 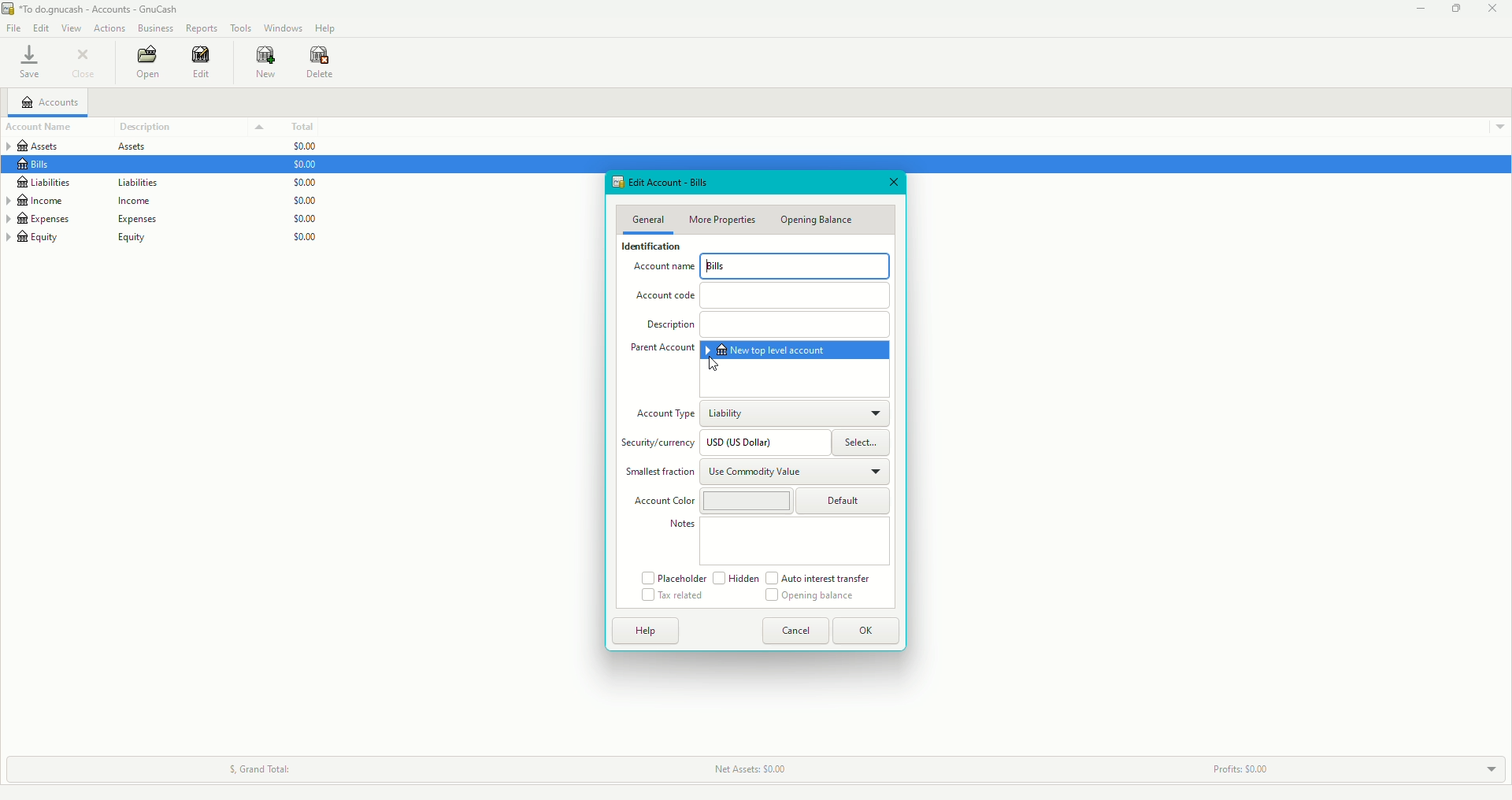 I want to click on Liabilities, so click(x=120, y=183).